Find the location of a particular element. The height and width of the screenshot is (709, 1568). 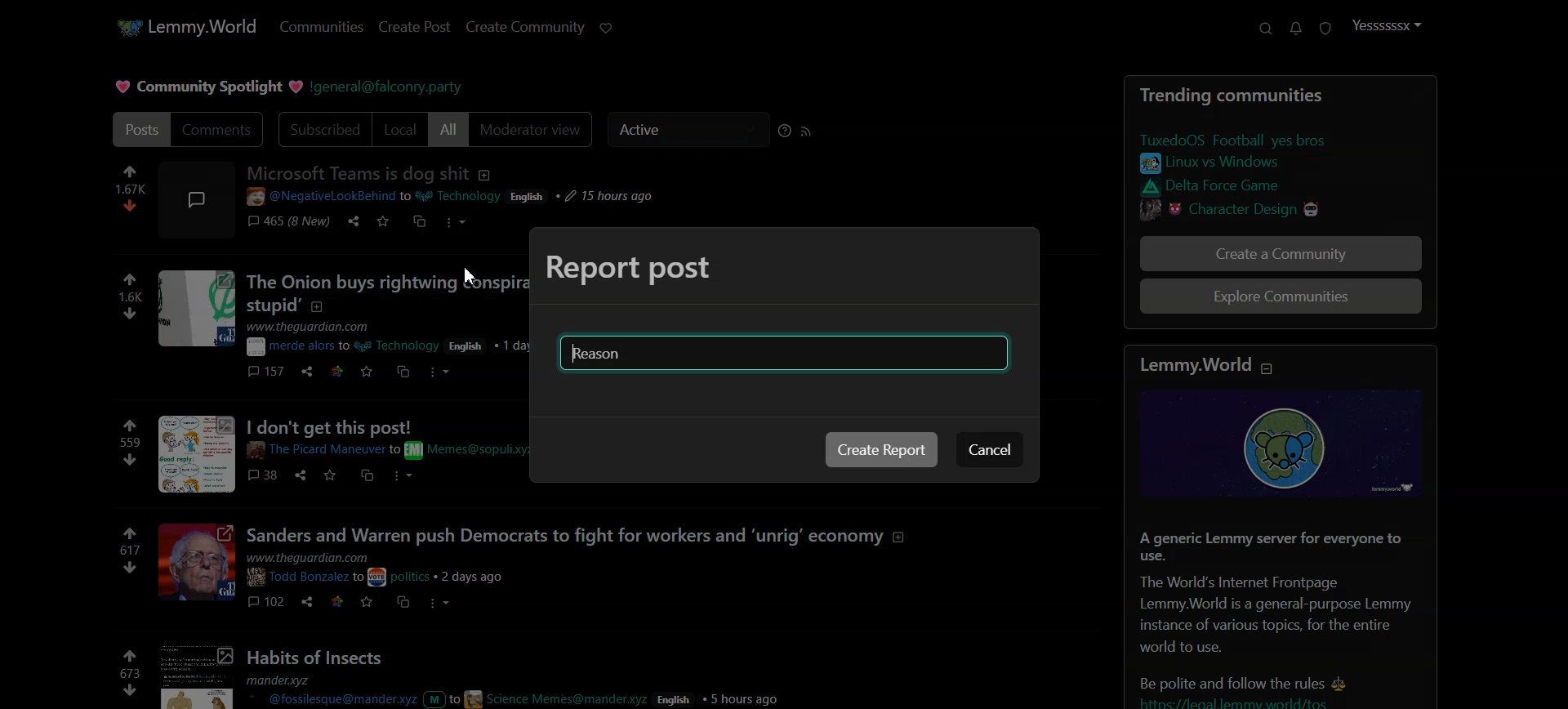

share is located at coordinates (355, 222).